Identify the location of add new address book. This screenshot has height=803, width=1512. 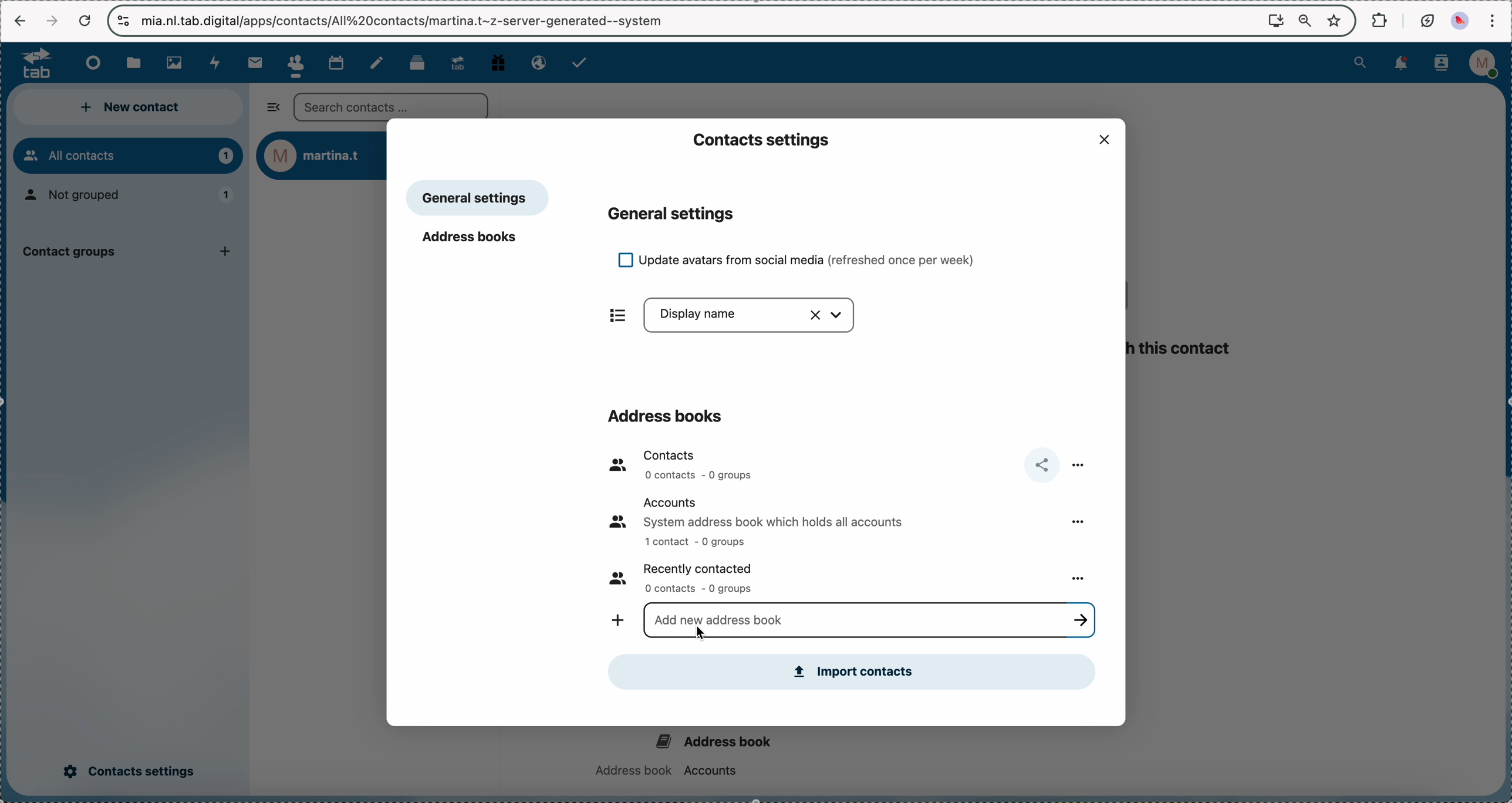
(615, 622).